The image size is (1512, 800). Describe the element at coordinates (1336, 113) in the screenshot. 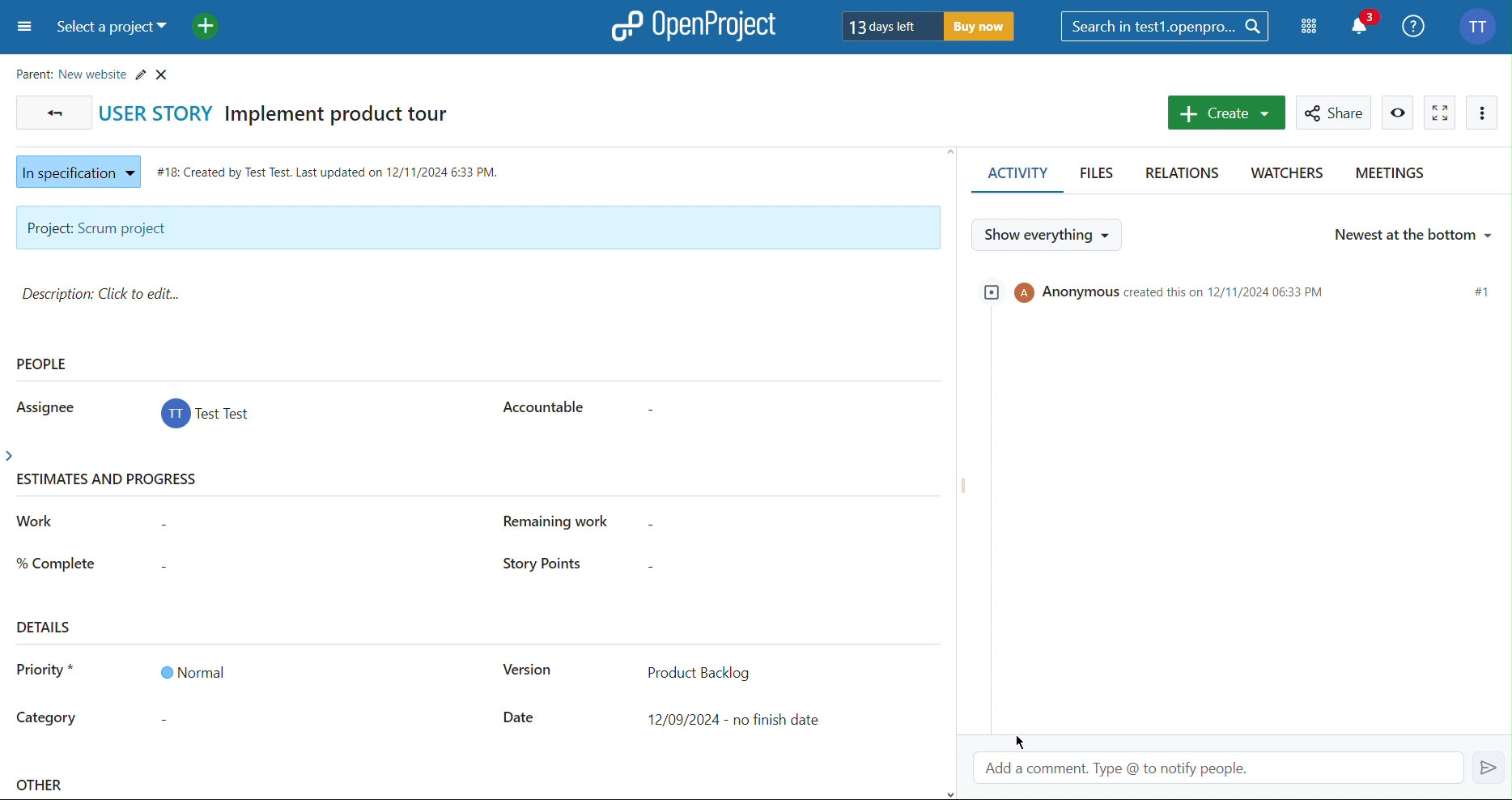

I see `Share` at that location.